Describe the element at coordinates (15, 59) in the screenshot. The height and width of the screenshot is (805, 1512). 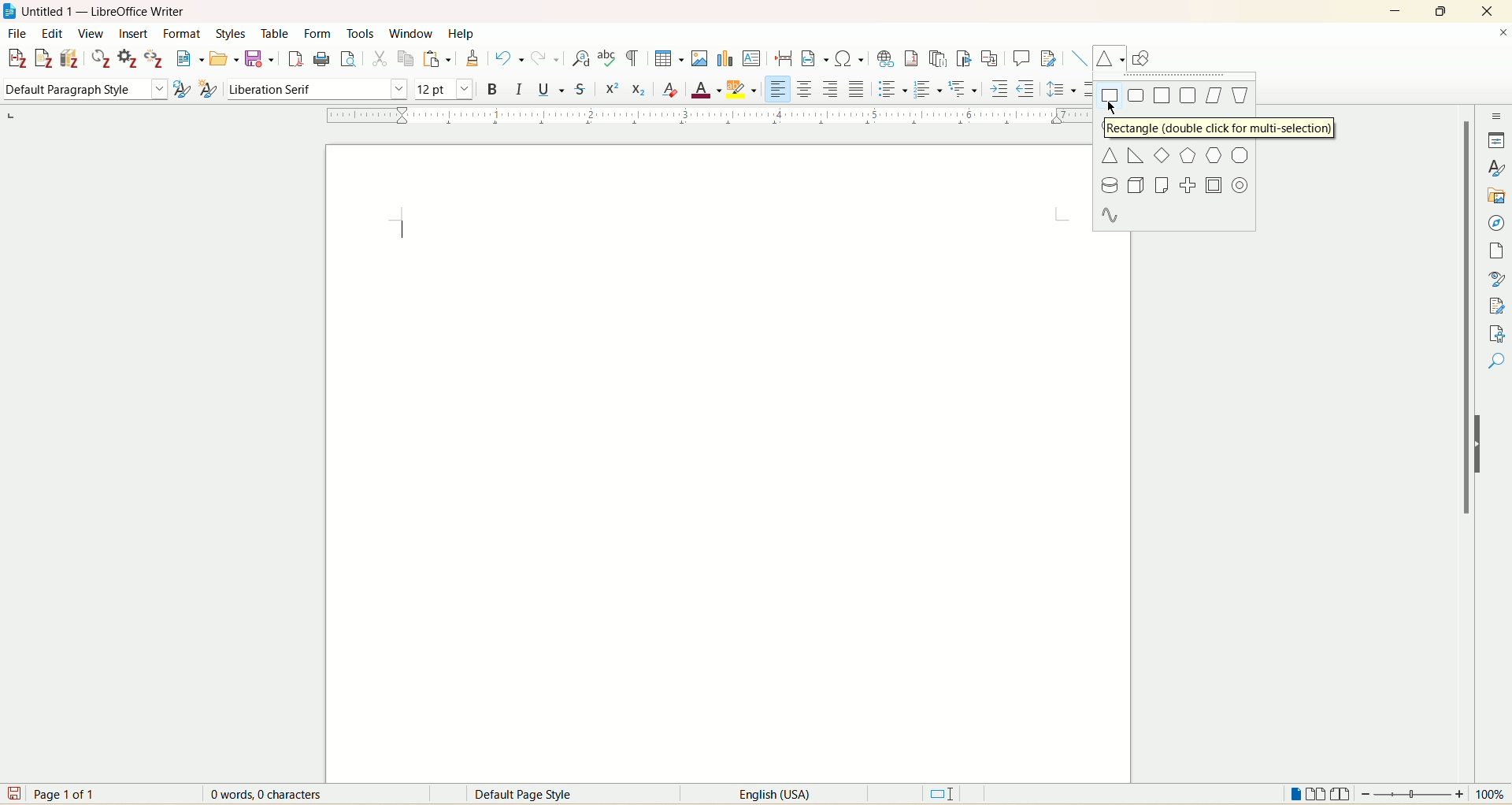
I see `add citation` at that location.